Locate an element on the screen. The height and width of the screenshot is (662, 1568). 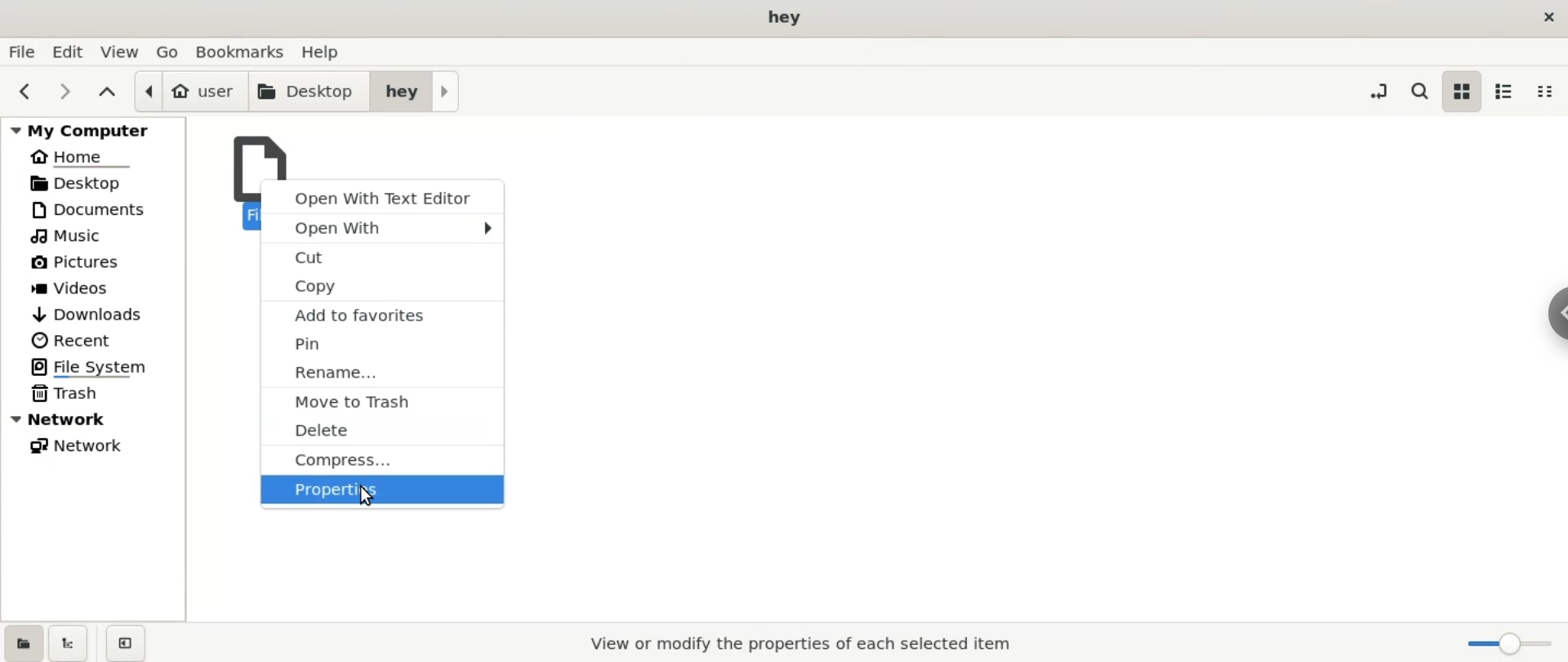
downloas is located at coordinates (94, 314).